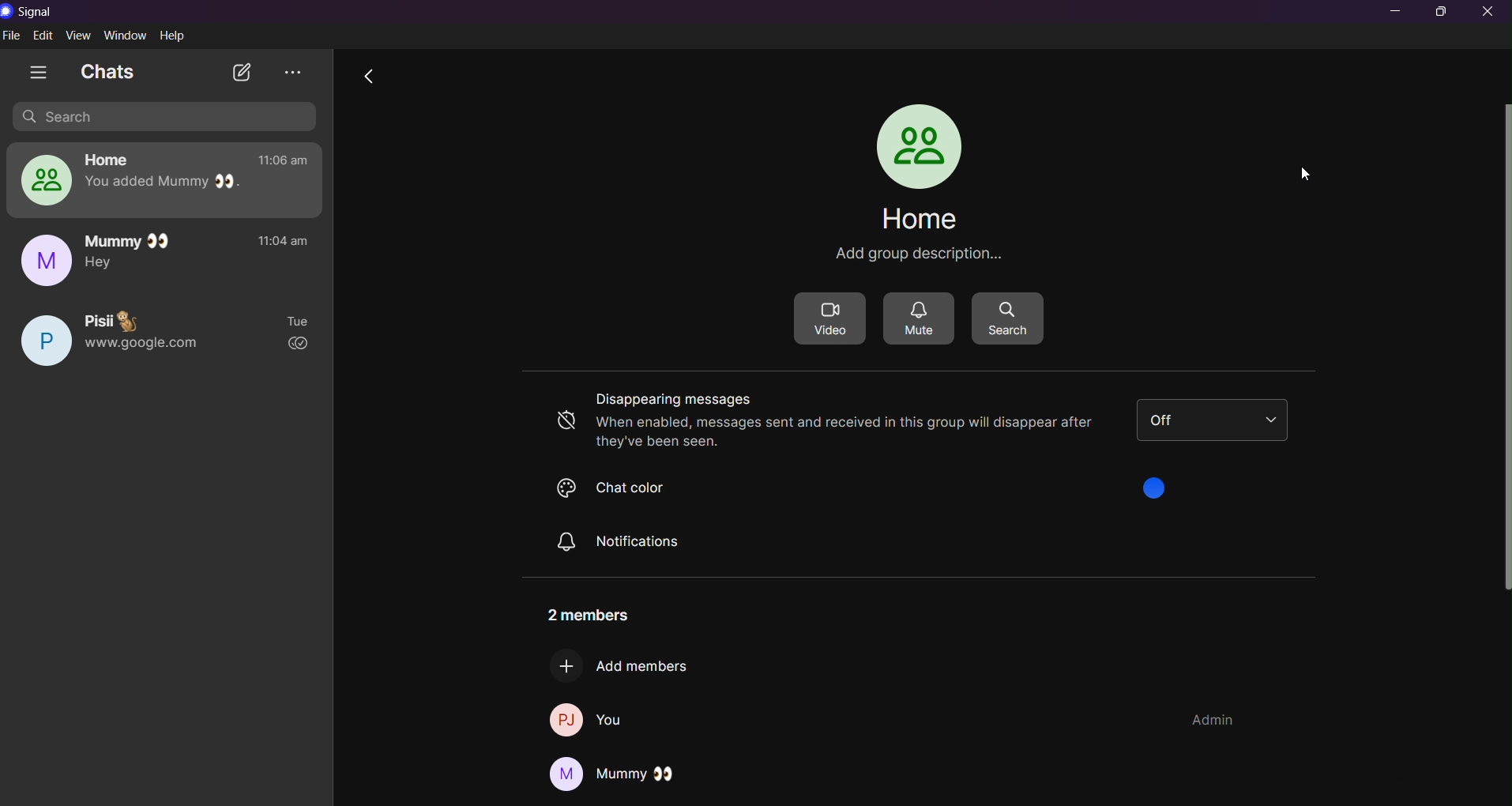 Image resolution: width=1512 pixels, height=806 pixels. Describe the element at coordinates (293, 71) in the screenshot. I see `view archieve` at that location.